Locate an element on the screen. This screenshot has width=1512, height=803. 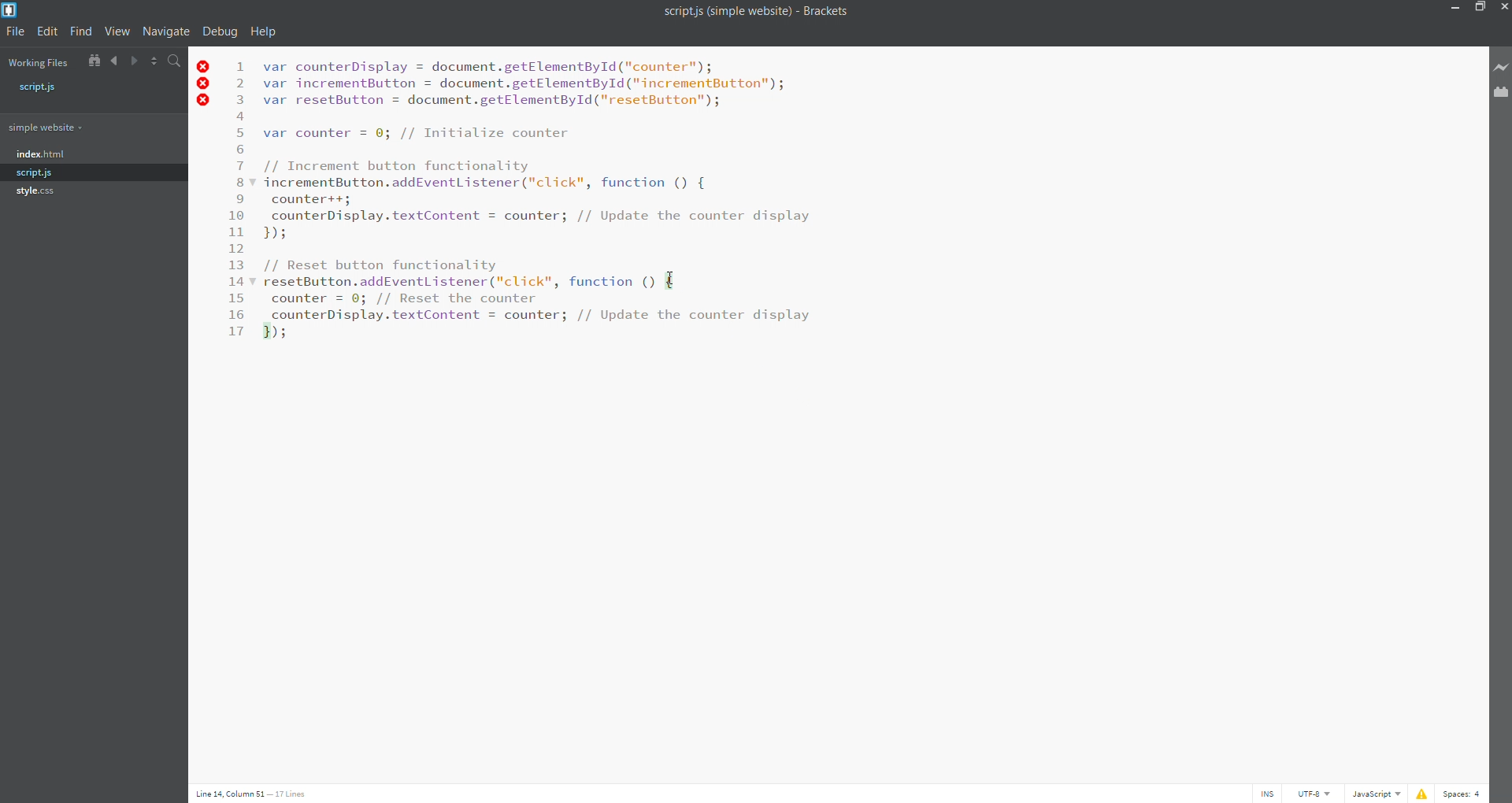
scriptjs (simple website) - Brackets is located at coordinates (758, 15).